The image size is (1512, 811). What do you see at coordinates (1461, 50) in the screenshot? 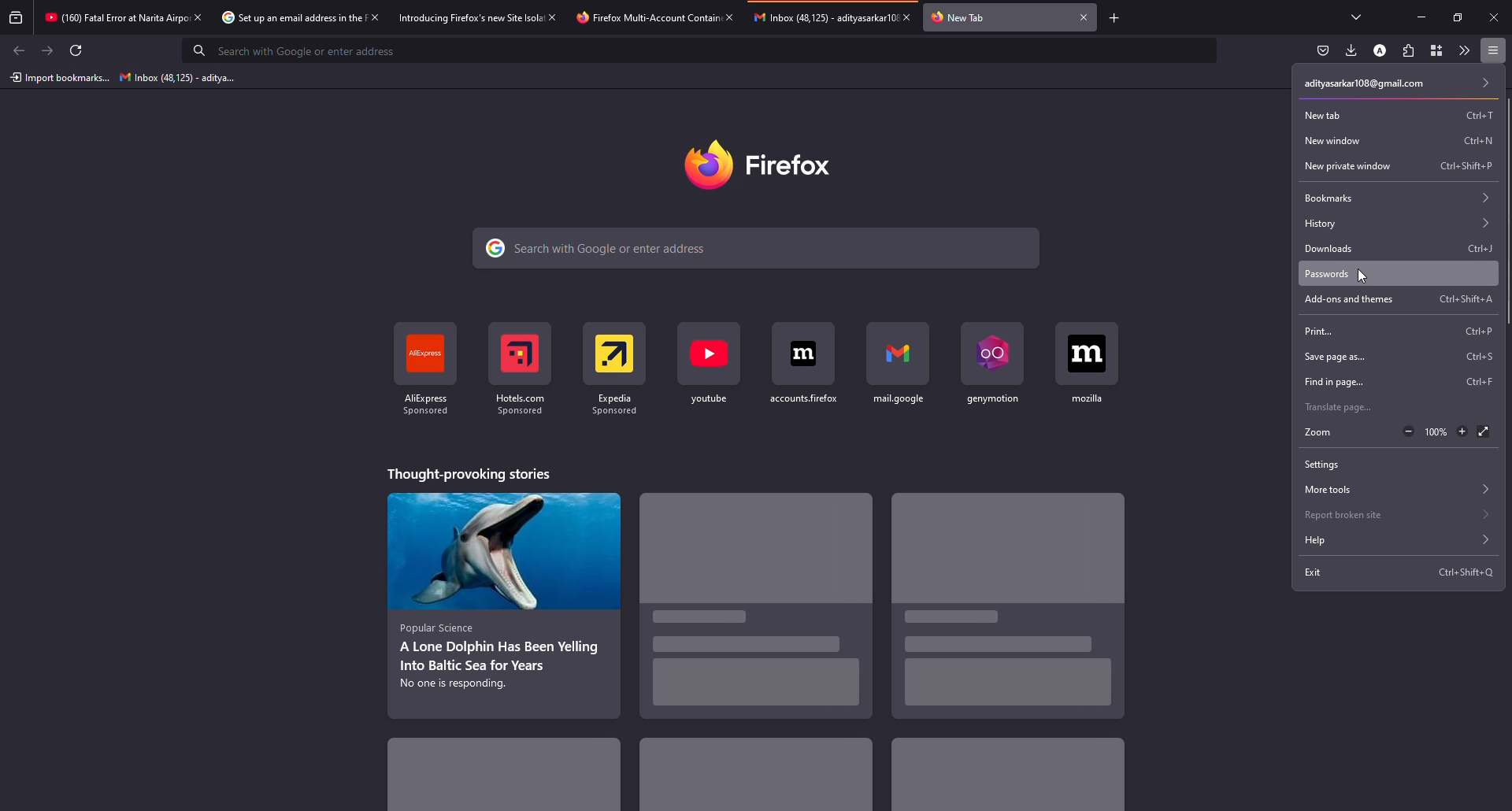
I see `more tools` at bounding box center [1461, 50].